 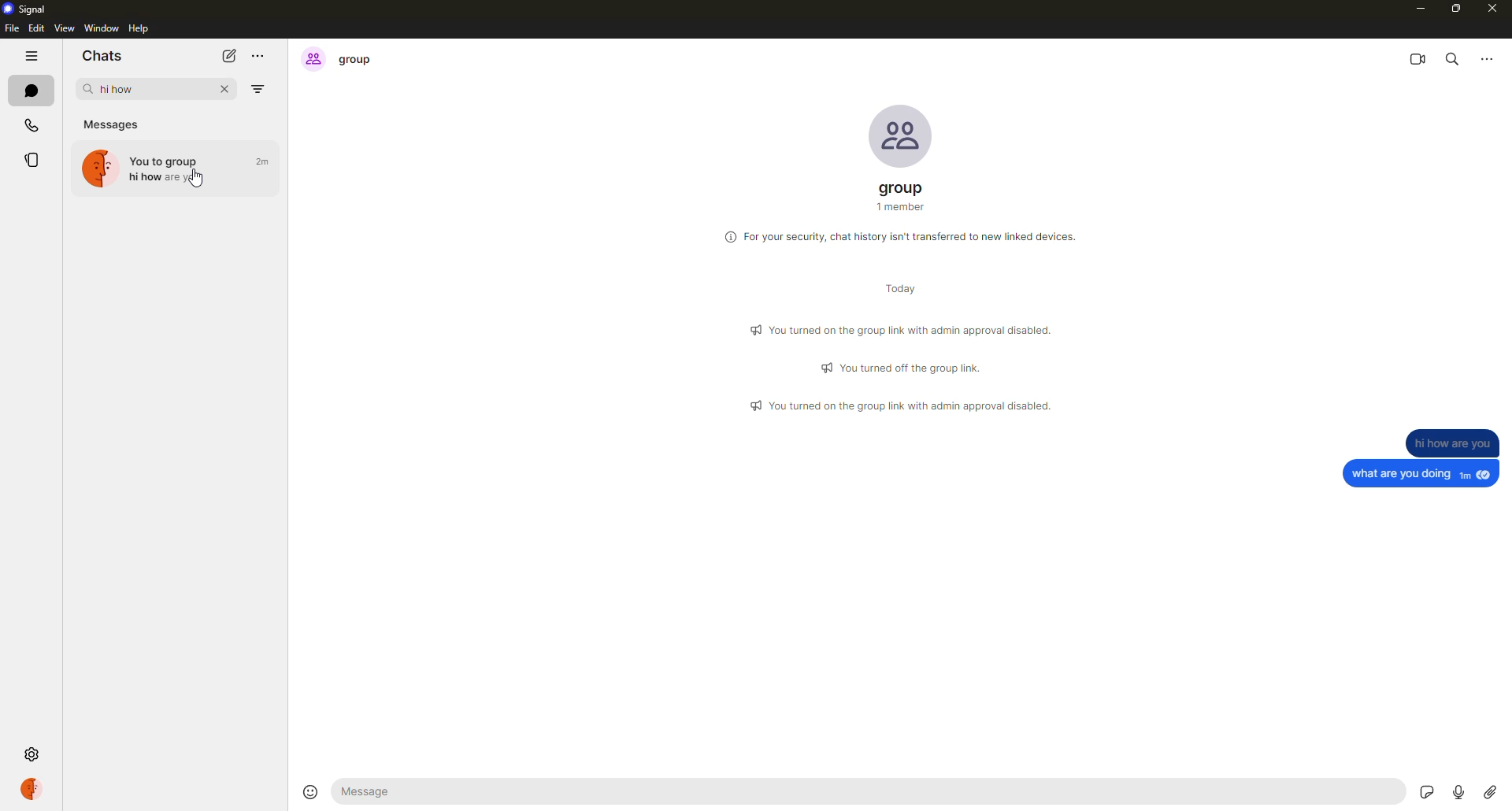 I want to click on hi how , so click(x=182, y=168).